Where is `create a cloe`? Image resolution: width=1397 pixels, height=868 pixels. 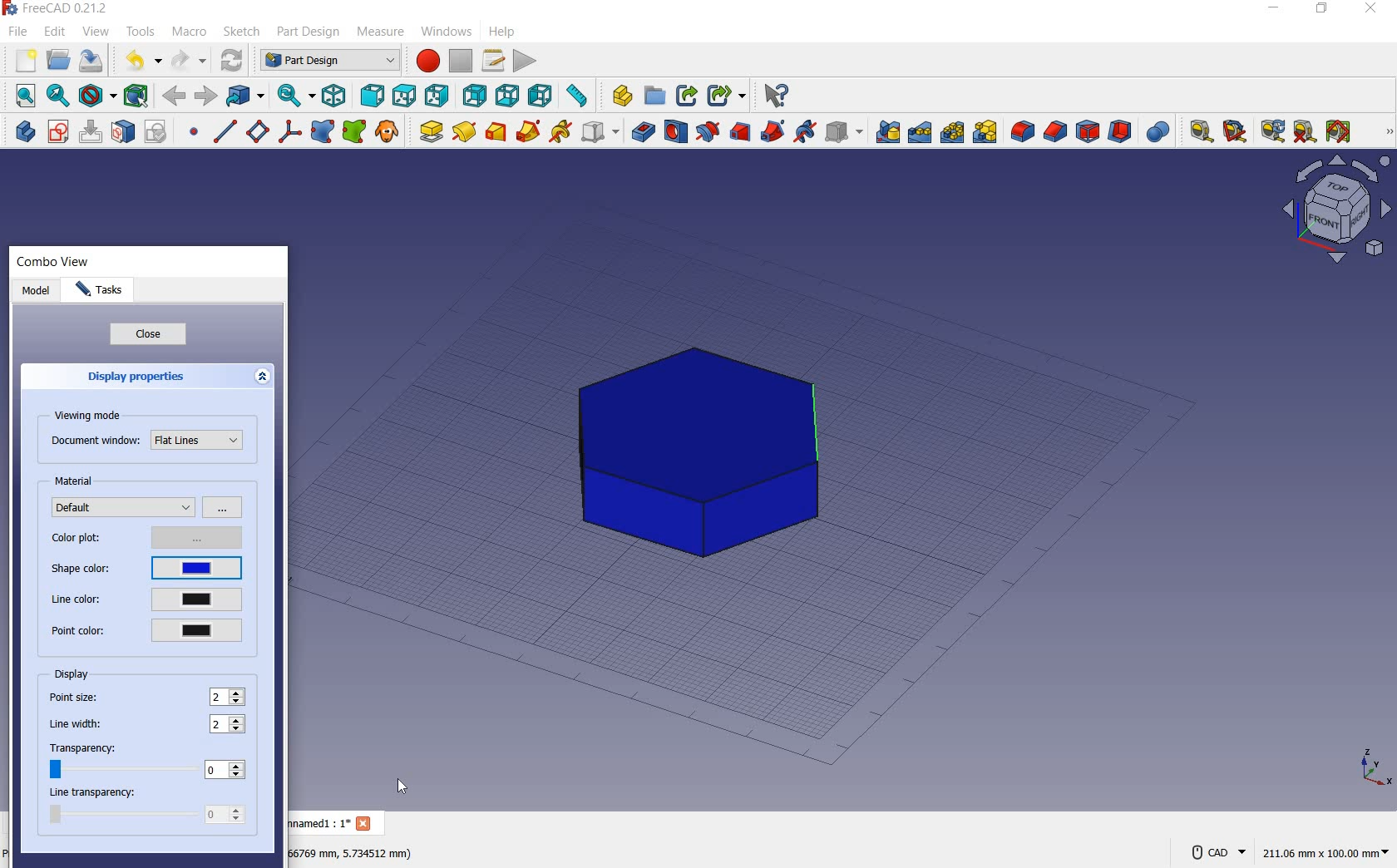
create a cloe is located at coordinates (388, 132).